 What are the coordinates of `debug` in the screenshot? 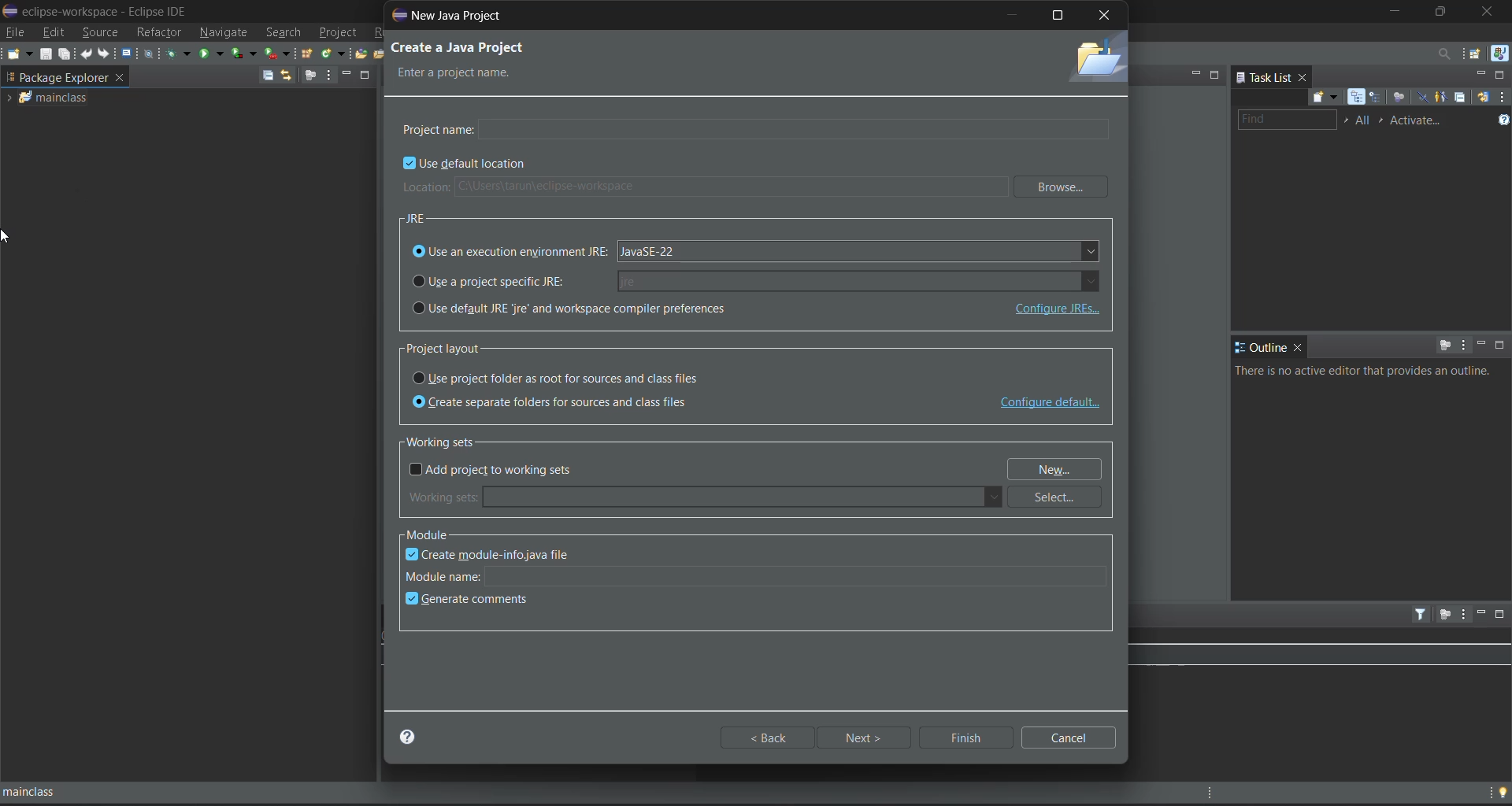 It's located at (179, 53).